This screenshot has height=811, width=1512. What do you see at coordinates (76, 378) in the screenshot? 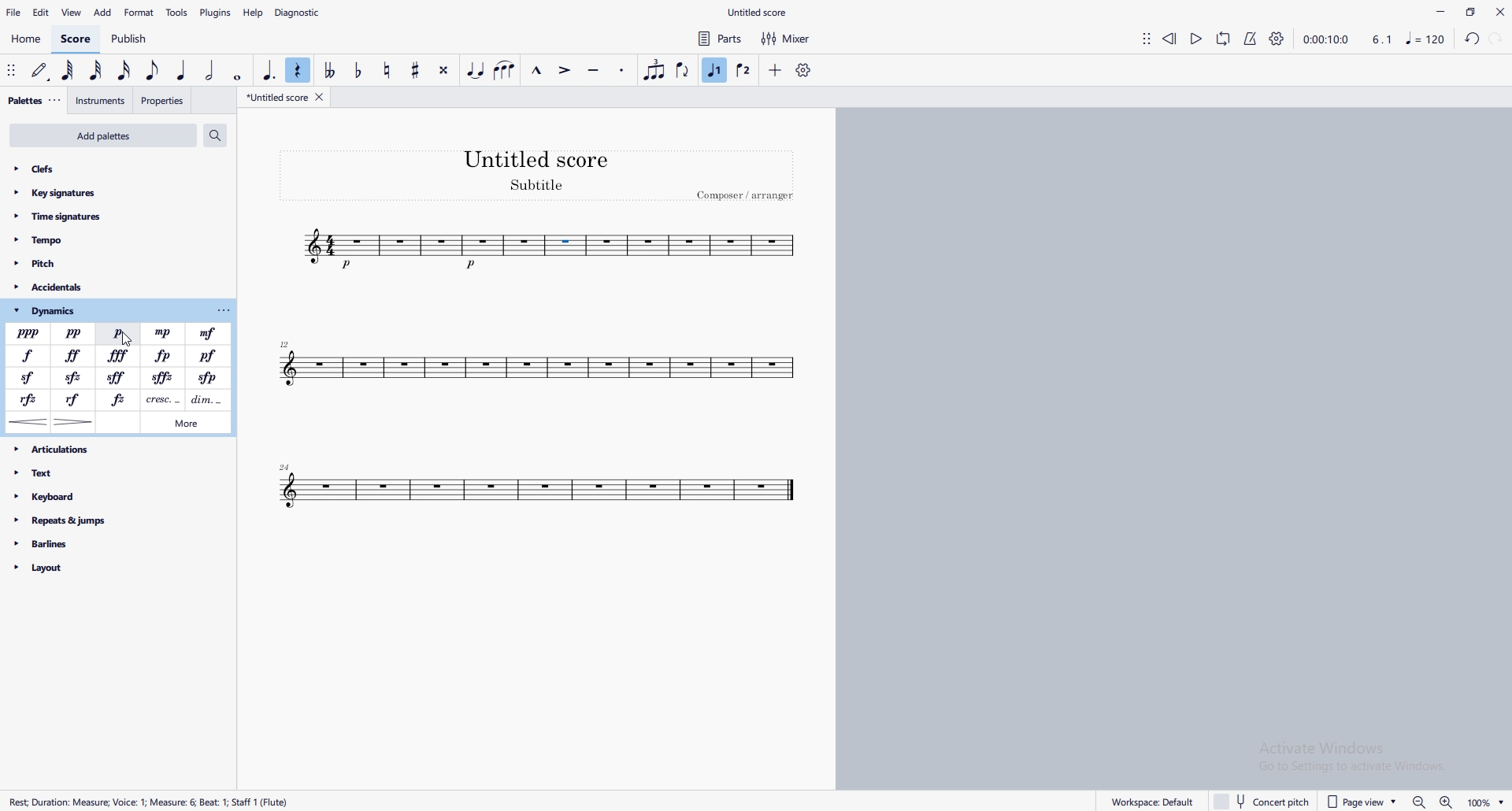
I see `sforzato` at bounding box center [76, 378].